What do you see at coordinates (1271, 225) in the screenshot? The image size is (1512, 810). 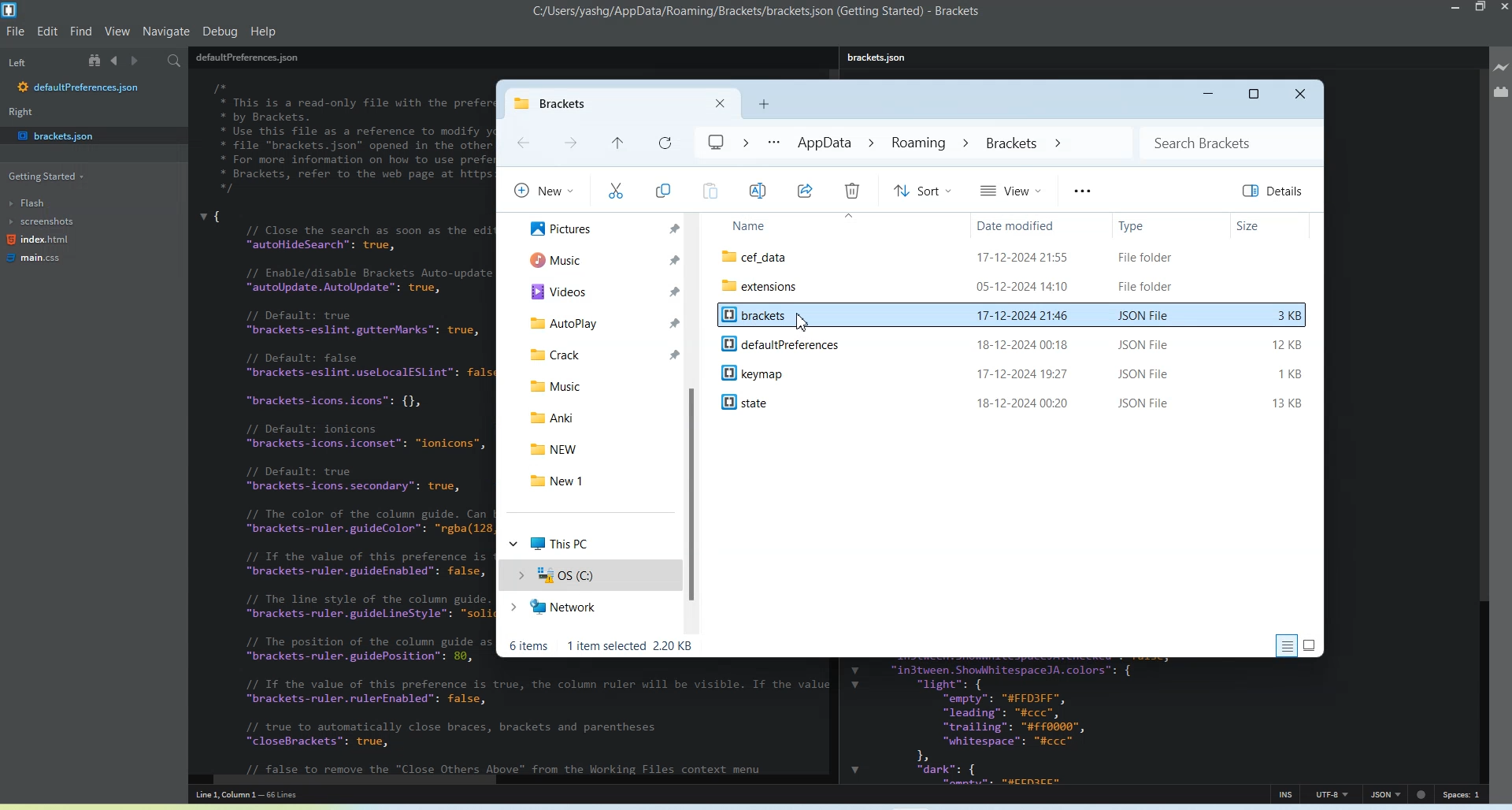 I see `Size` at bounding box center [1271, 225].